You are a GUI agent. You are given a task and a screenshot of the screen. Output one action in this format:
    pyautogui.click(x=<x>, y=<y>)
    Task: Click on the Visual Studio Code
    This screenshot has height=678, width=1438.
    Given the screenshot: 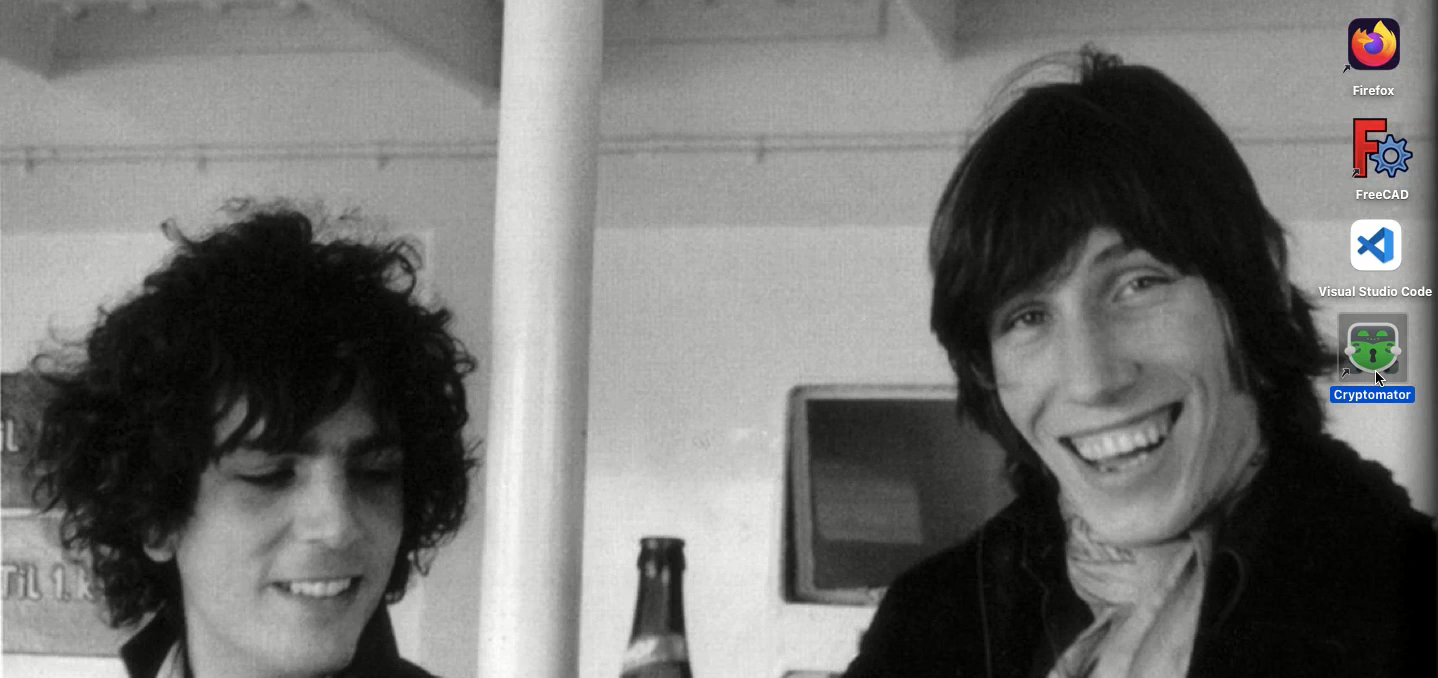 What is the action you would take?
    pyautogui.click(x=1372, y=261)
    